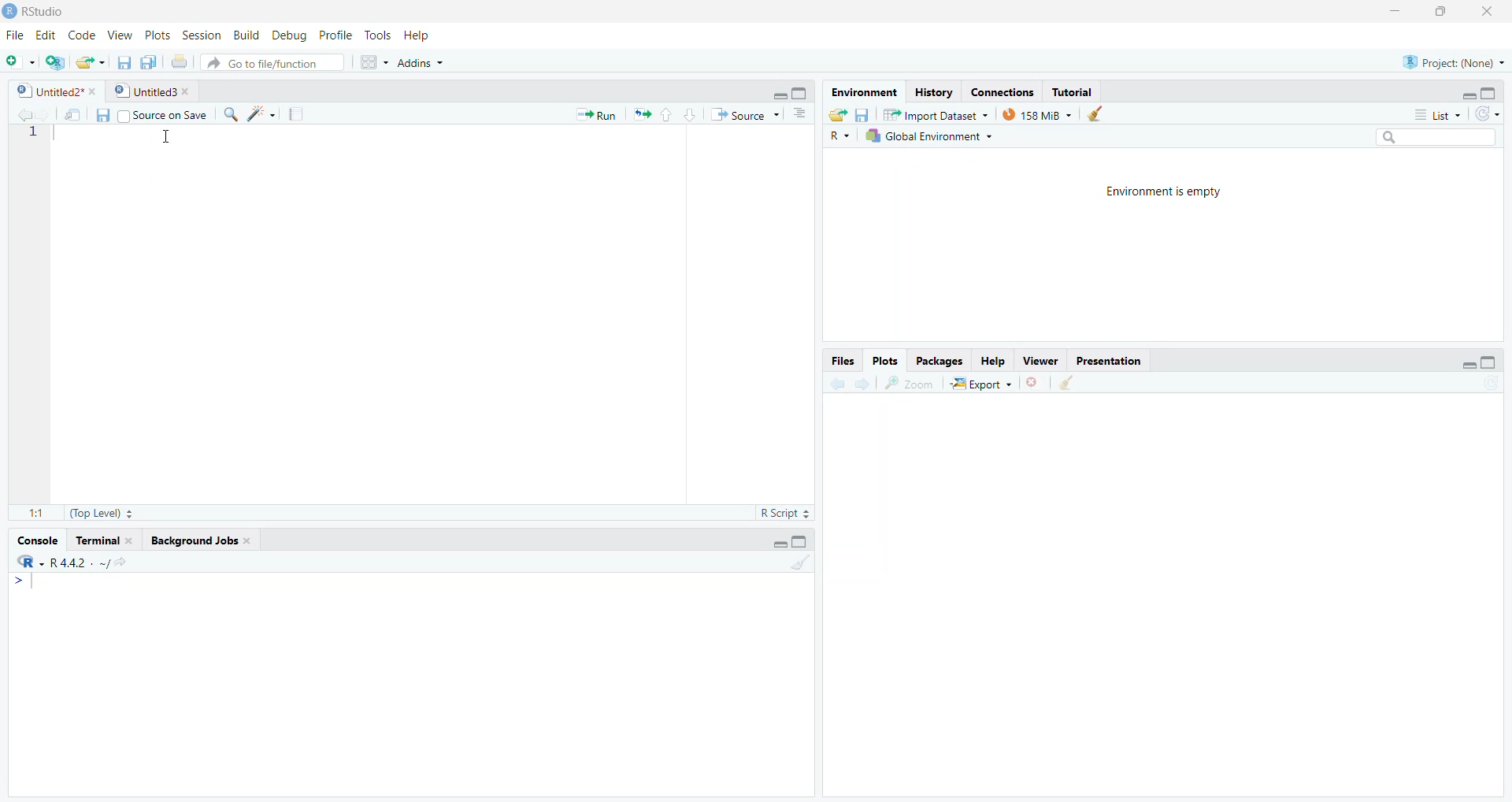  I want to click on Workspace pane, so click(370, 64).